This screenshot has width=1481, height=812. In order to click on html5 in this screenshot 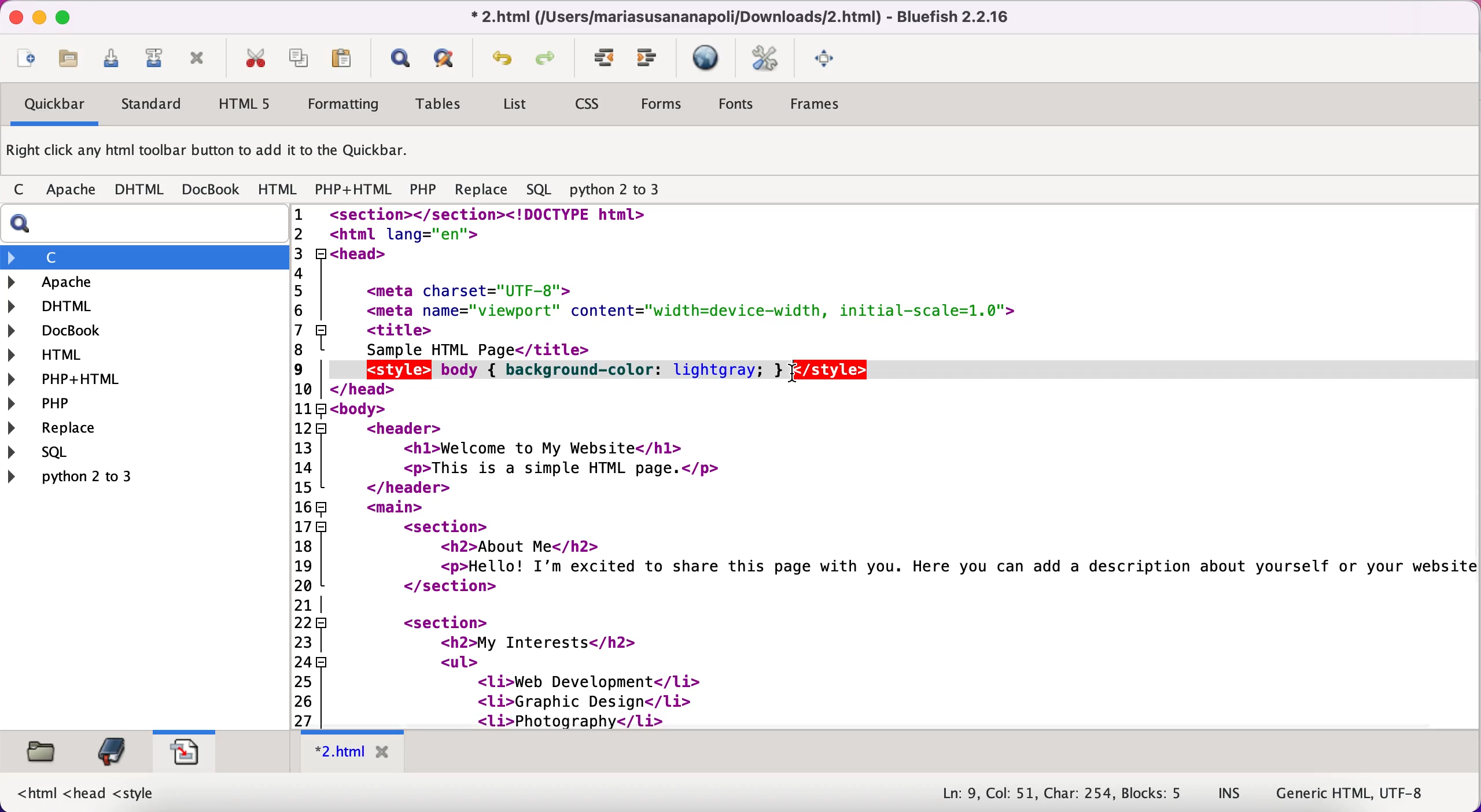, I will do `click(242, 104)`.